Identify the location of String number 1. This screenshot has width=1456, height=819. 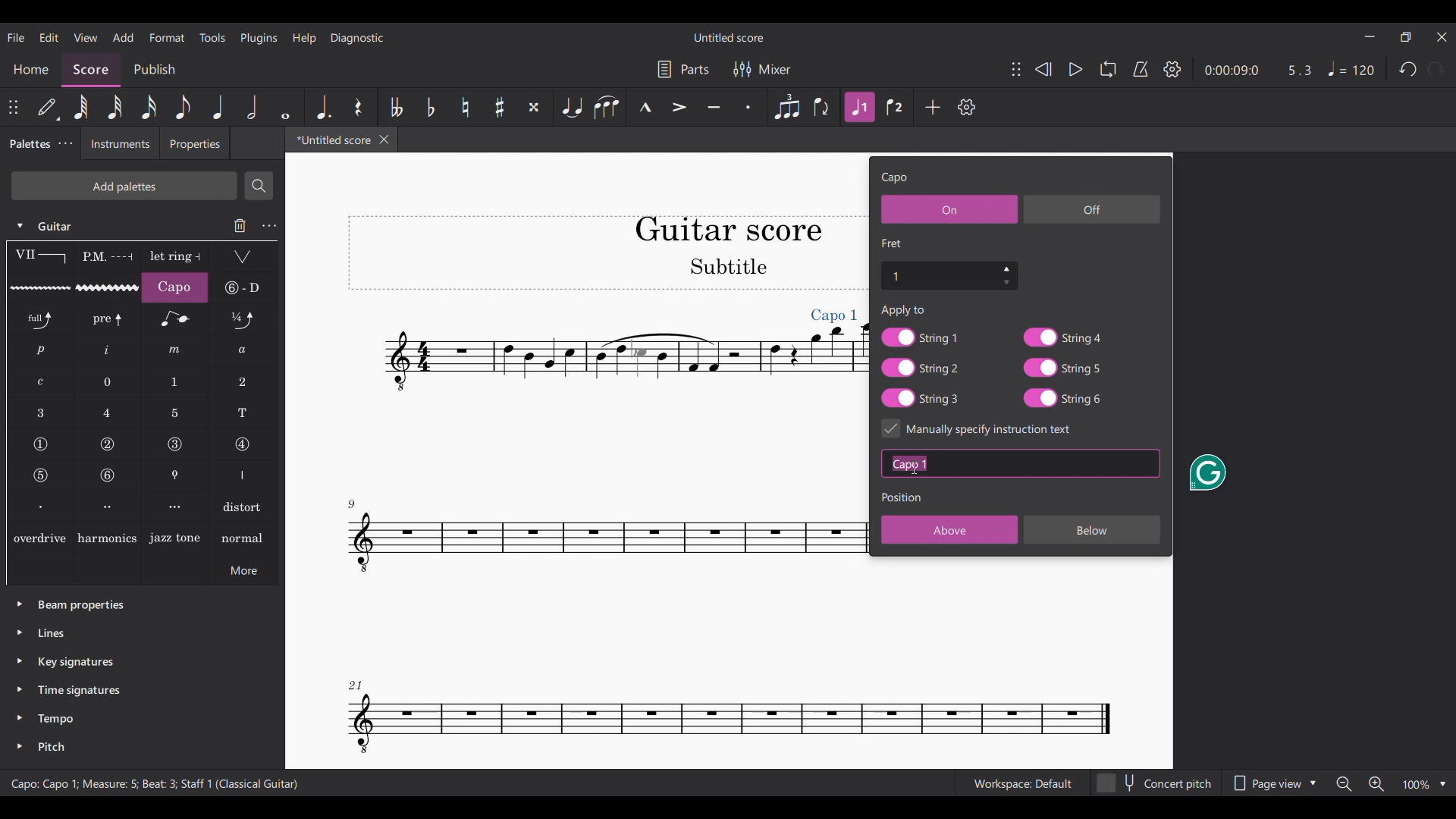
(40, 444).